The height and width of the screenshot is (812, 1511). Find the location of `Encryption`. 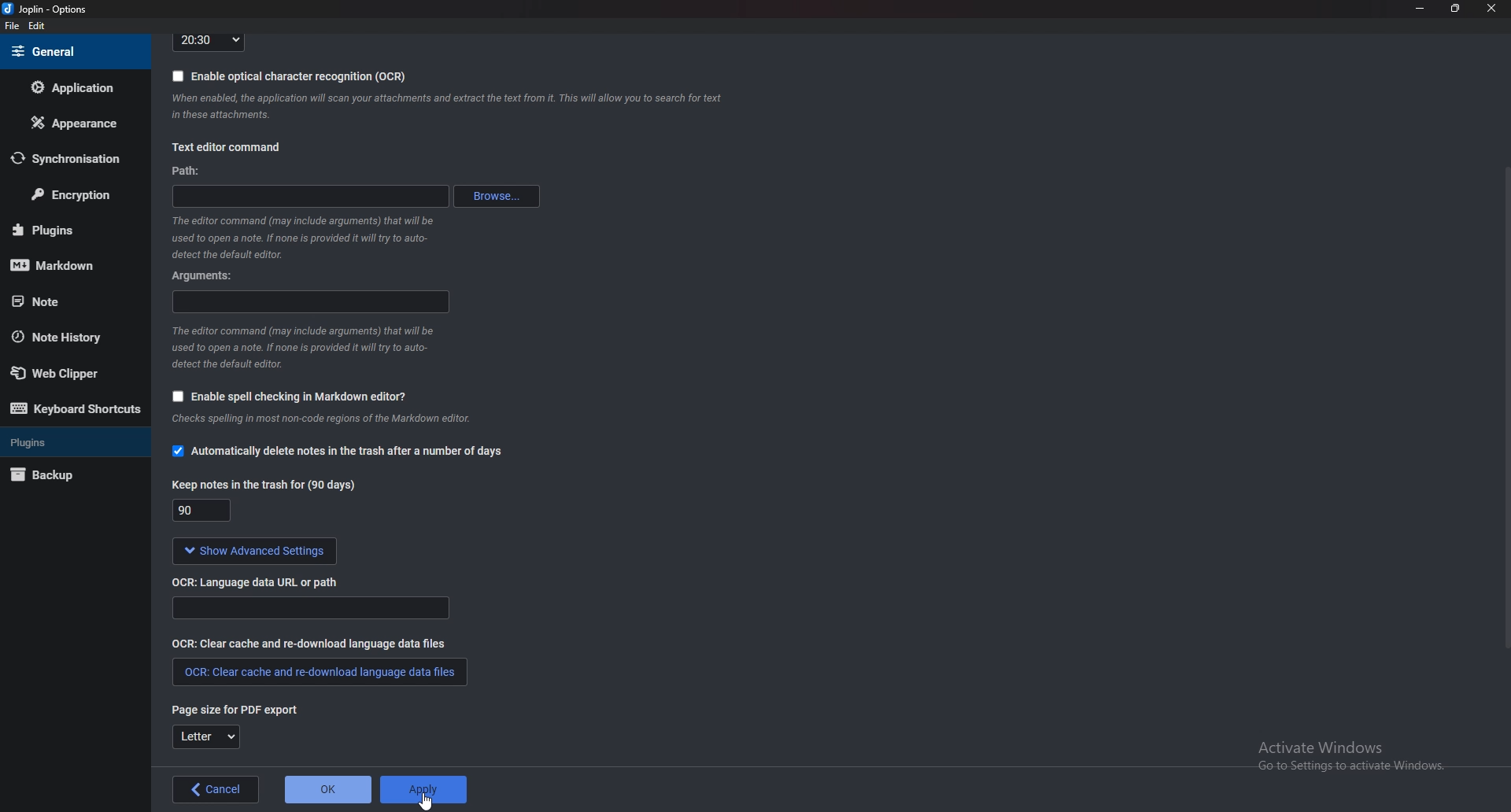

Encryption is located at coordinates (72, 196).